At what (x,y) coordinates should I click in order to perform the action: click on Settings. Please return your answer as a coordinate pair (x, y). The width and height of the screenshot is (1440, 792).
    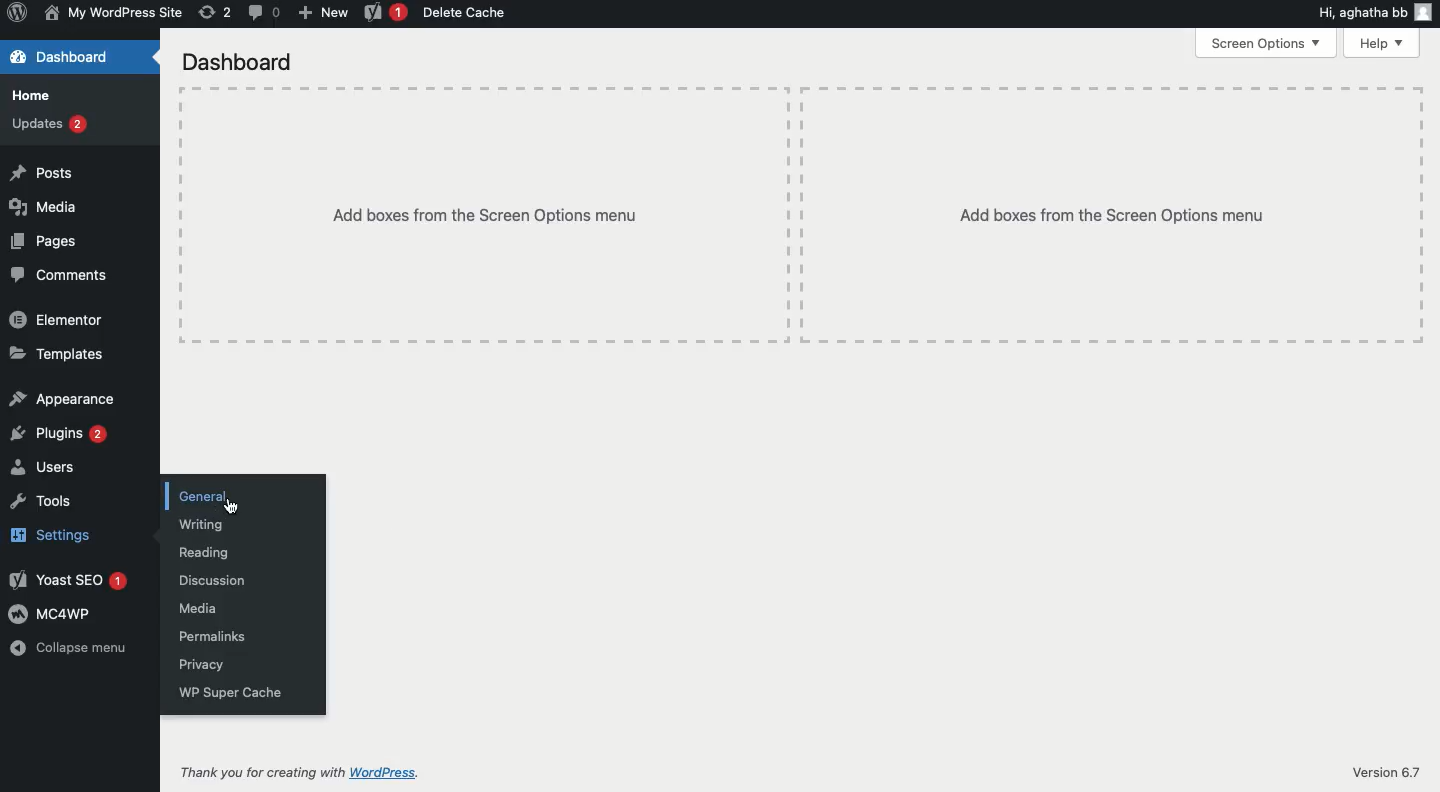
    Looking at the image, I should click on (49, 535).